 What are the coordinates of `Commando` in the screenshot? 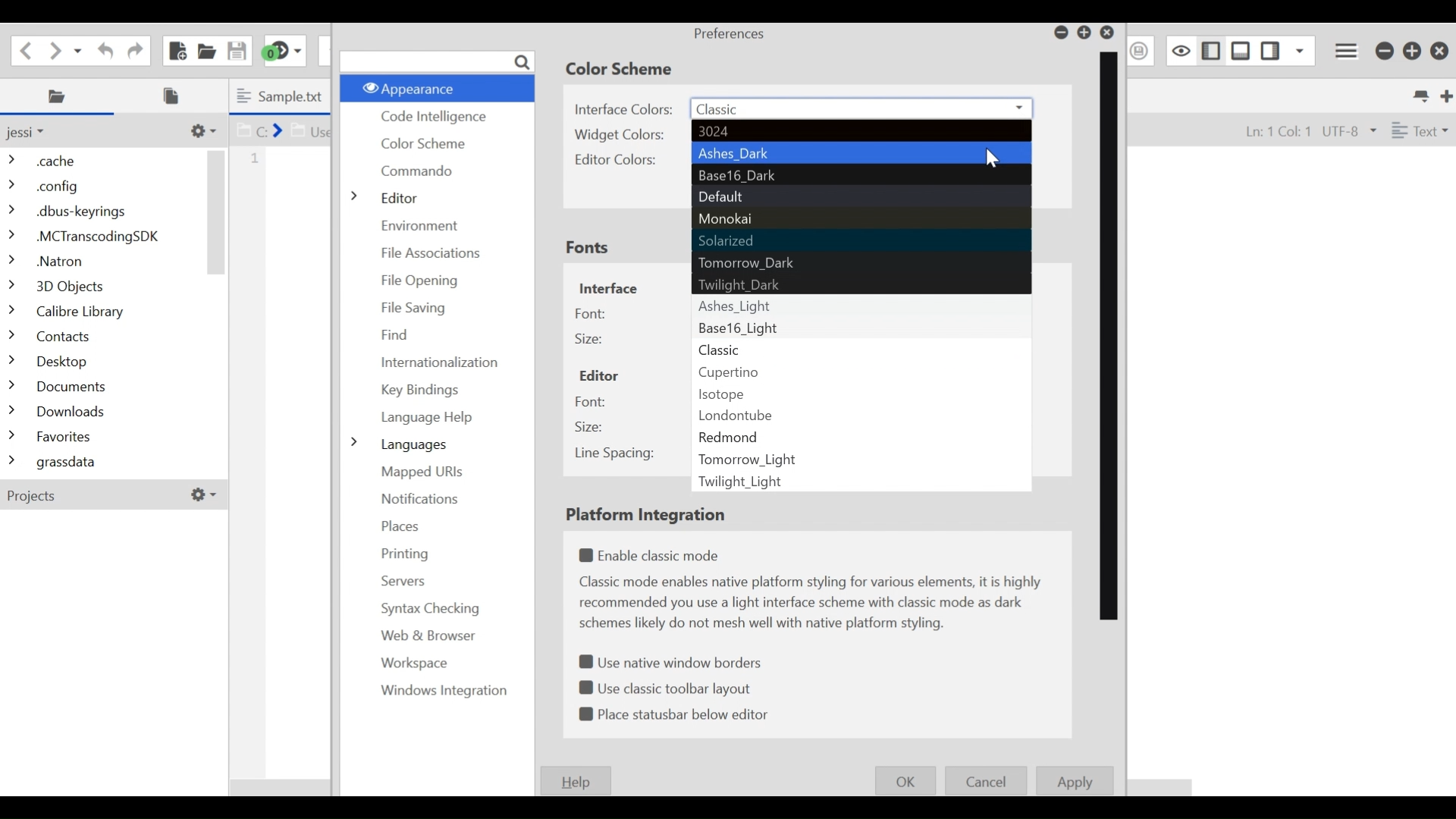 It's located at (421, 171).